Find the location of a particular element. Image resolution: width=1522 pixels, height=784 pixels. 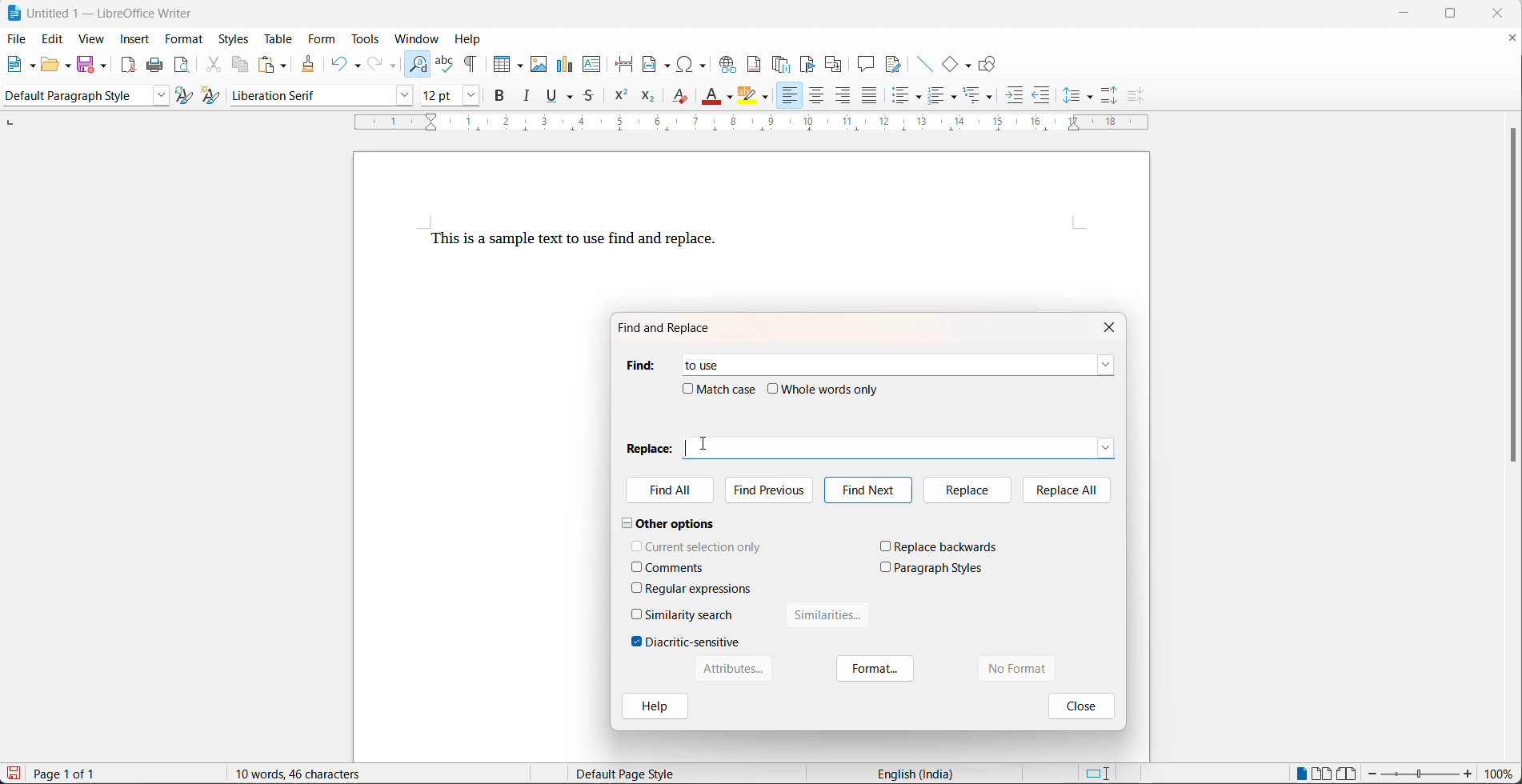

page break is located at coordinates (626, 64).